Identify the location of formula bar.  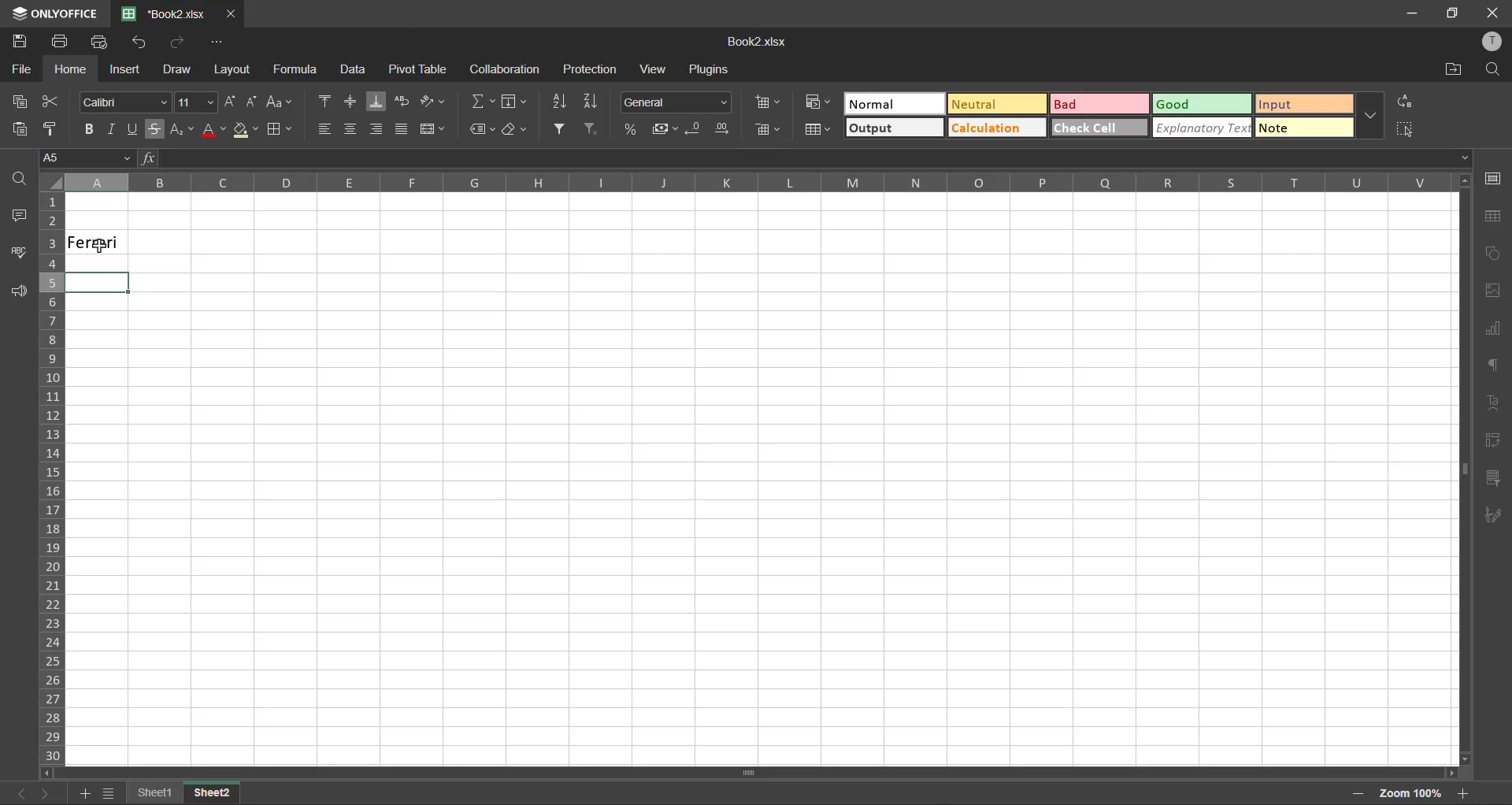
(804, 159).